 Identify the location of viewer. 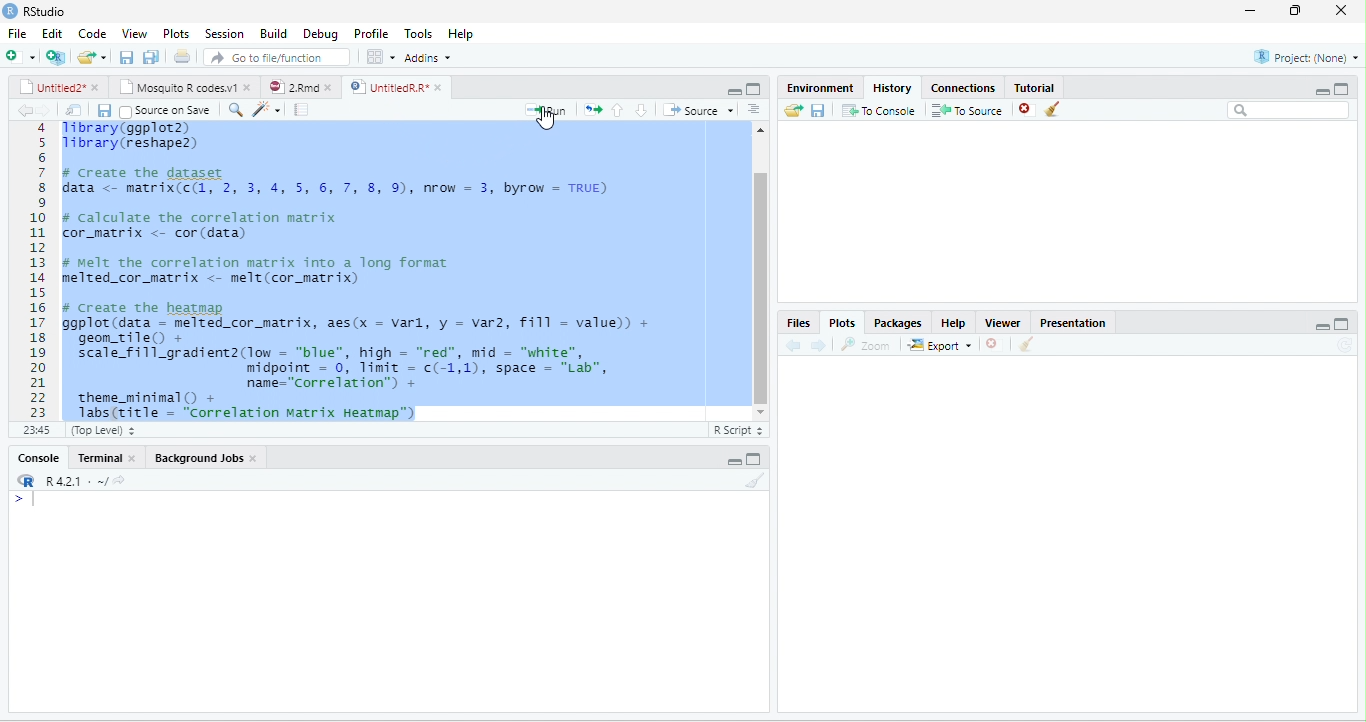
(1001, 320).